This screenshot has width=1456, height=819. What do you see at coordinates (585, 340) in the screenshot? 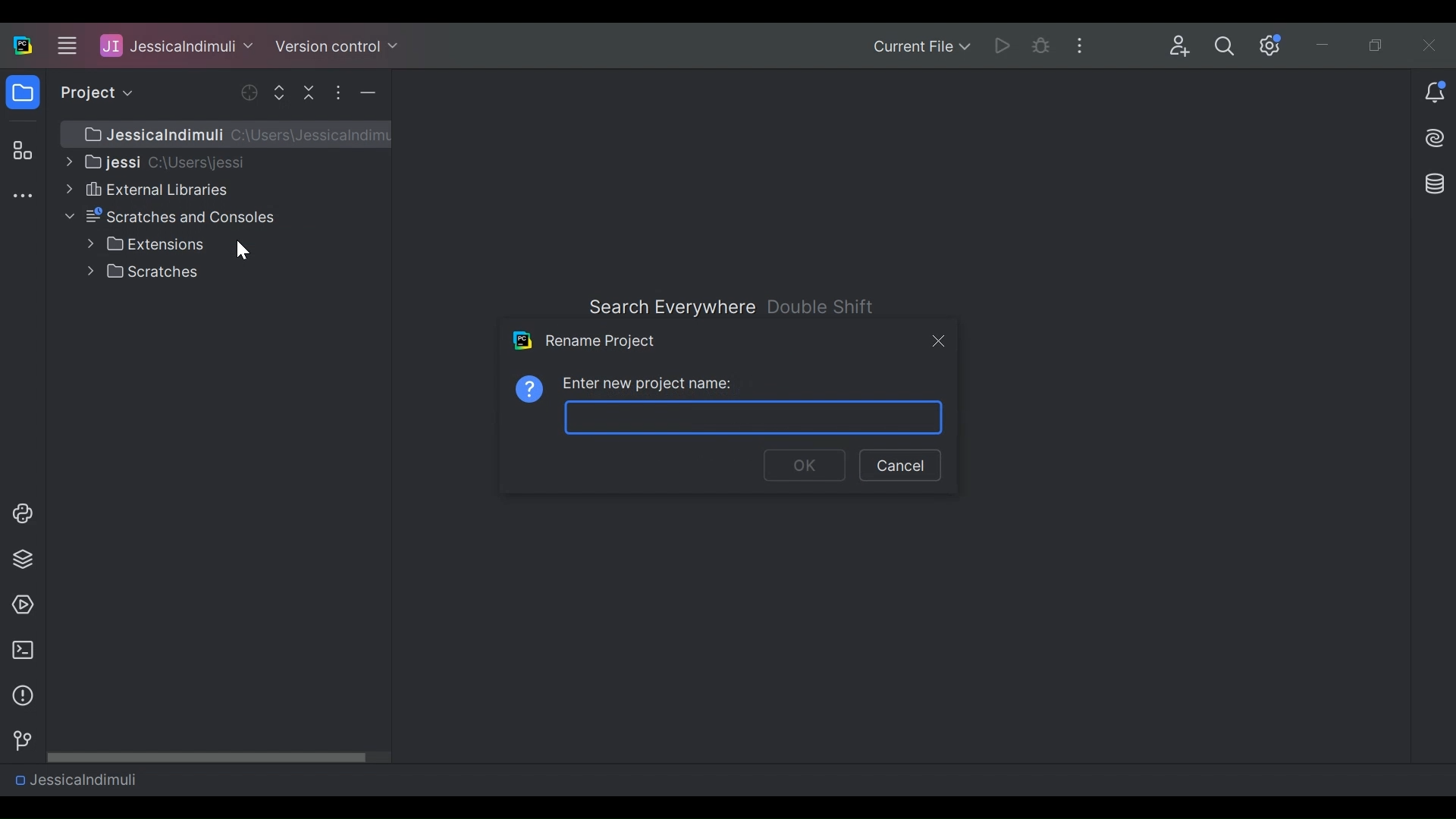
I see `Rename Project` at bounding box center [585, 340].